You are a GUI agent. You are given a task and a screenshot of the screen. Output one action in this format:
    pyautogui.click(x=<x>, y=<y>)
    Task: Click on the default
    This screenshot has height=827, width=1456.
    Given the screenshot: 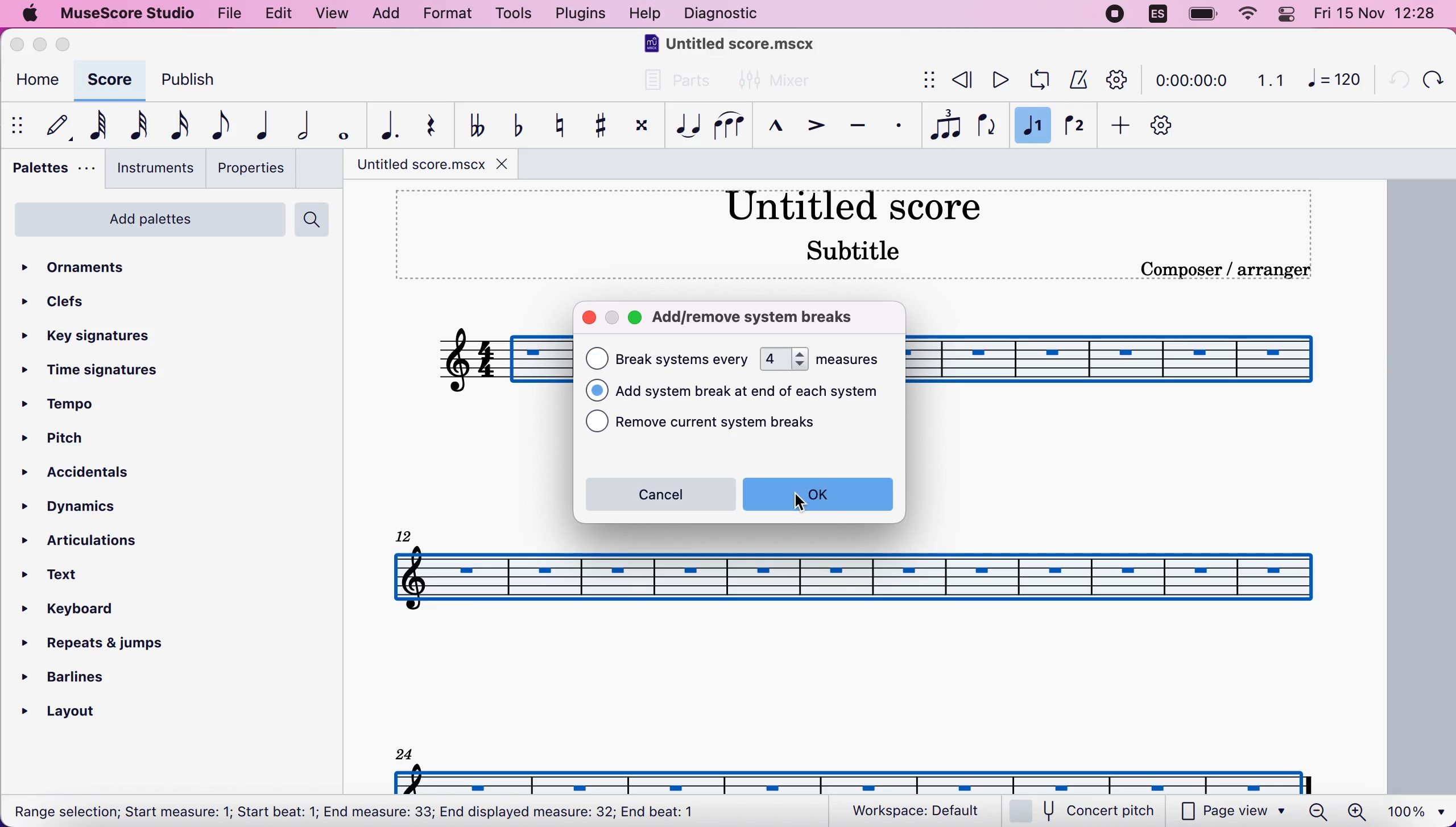 What is the action you would take?
    pyautogui.click(x=53, y=125)
    